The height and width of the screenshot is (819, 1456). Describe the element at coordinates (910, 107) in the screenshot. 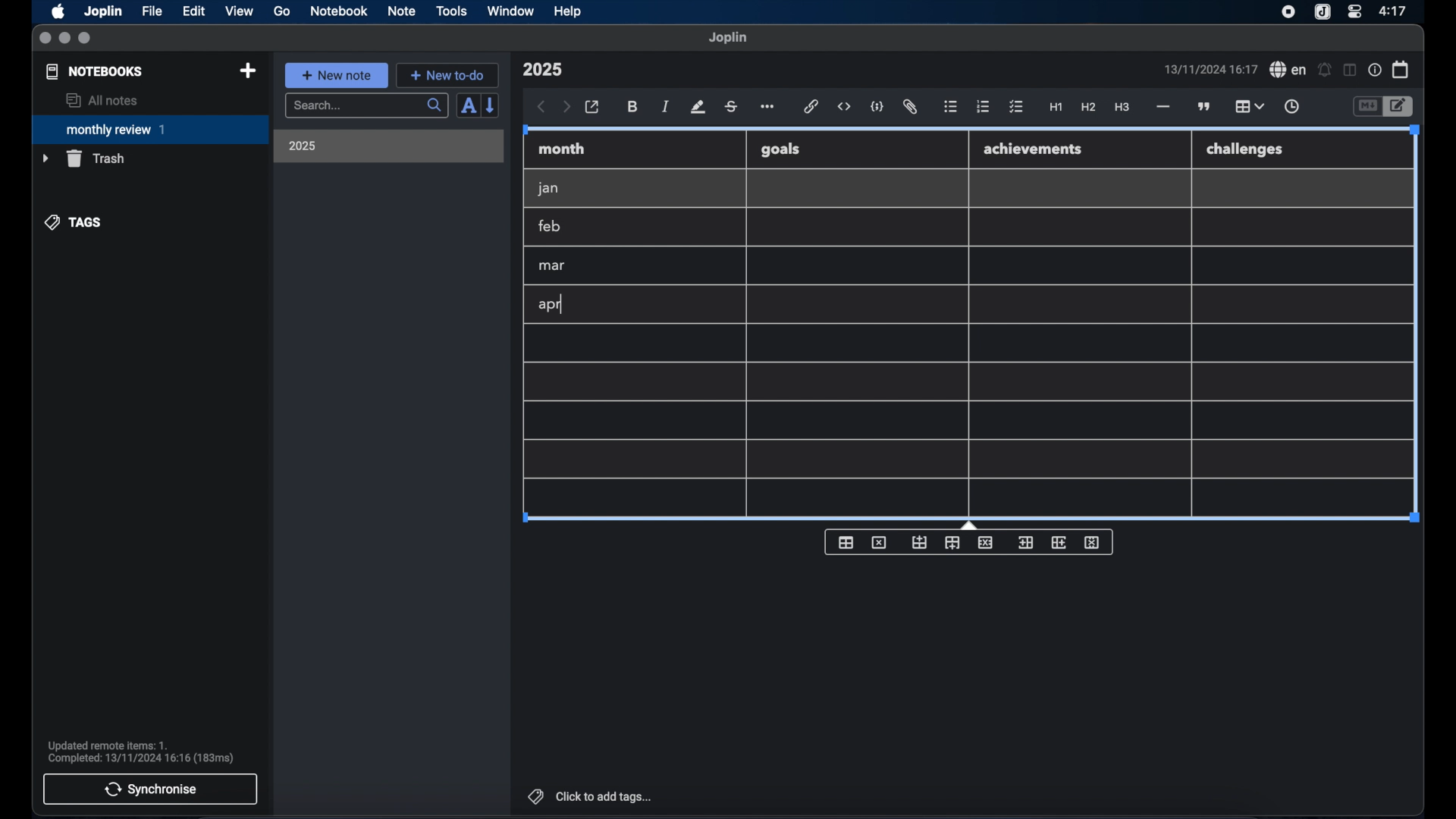

I see `attach file` at that location.